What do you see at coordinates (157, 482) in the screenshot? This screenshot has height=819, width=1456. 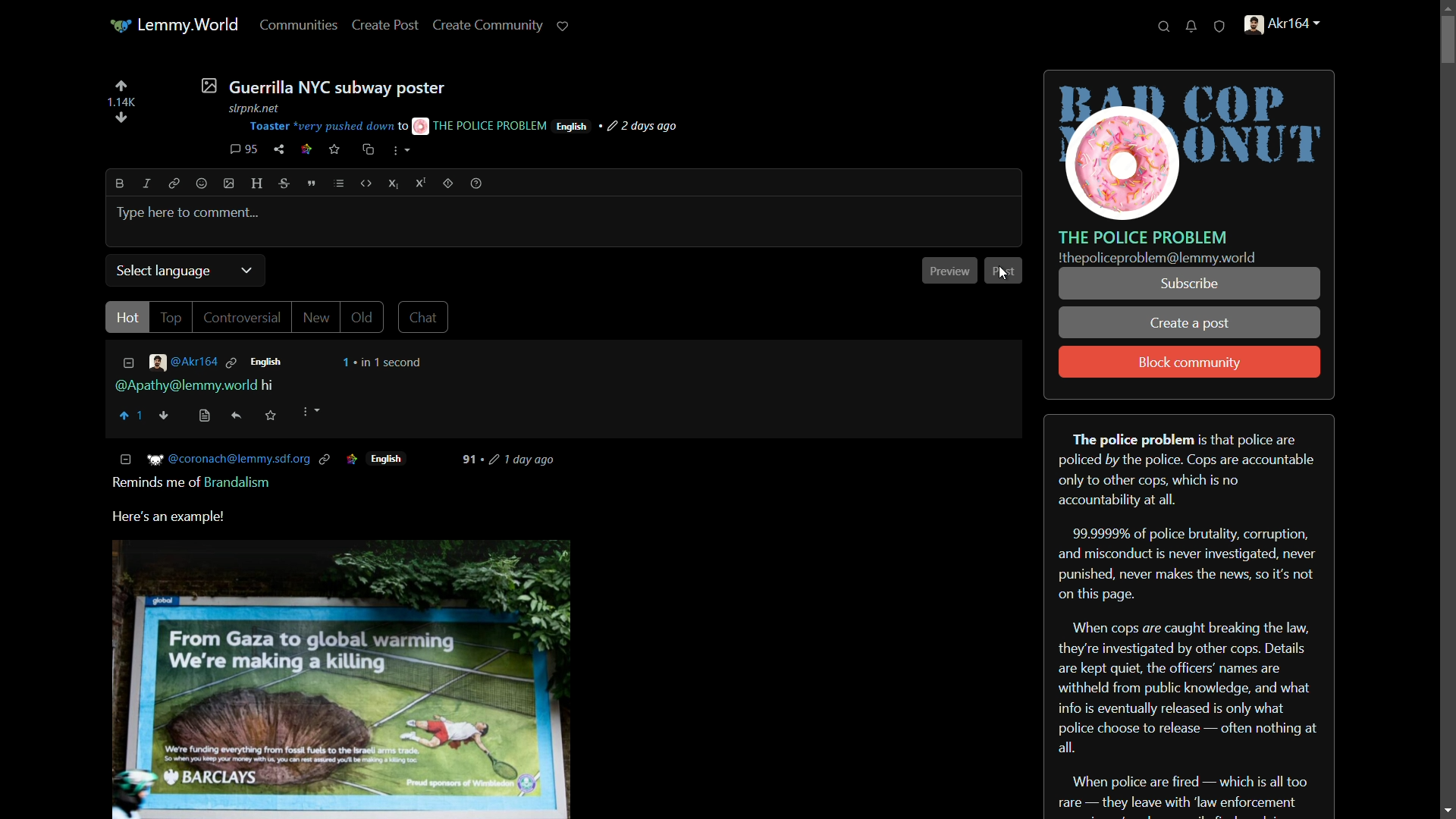 I see `Reminds me of` at bounding box center [157, 482].